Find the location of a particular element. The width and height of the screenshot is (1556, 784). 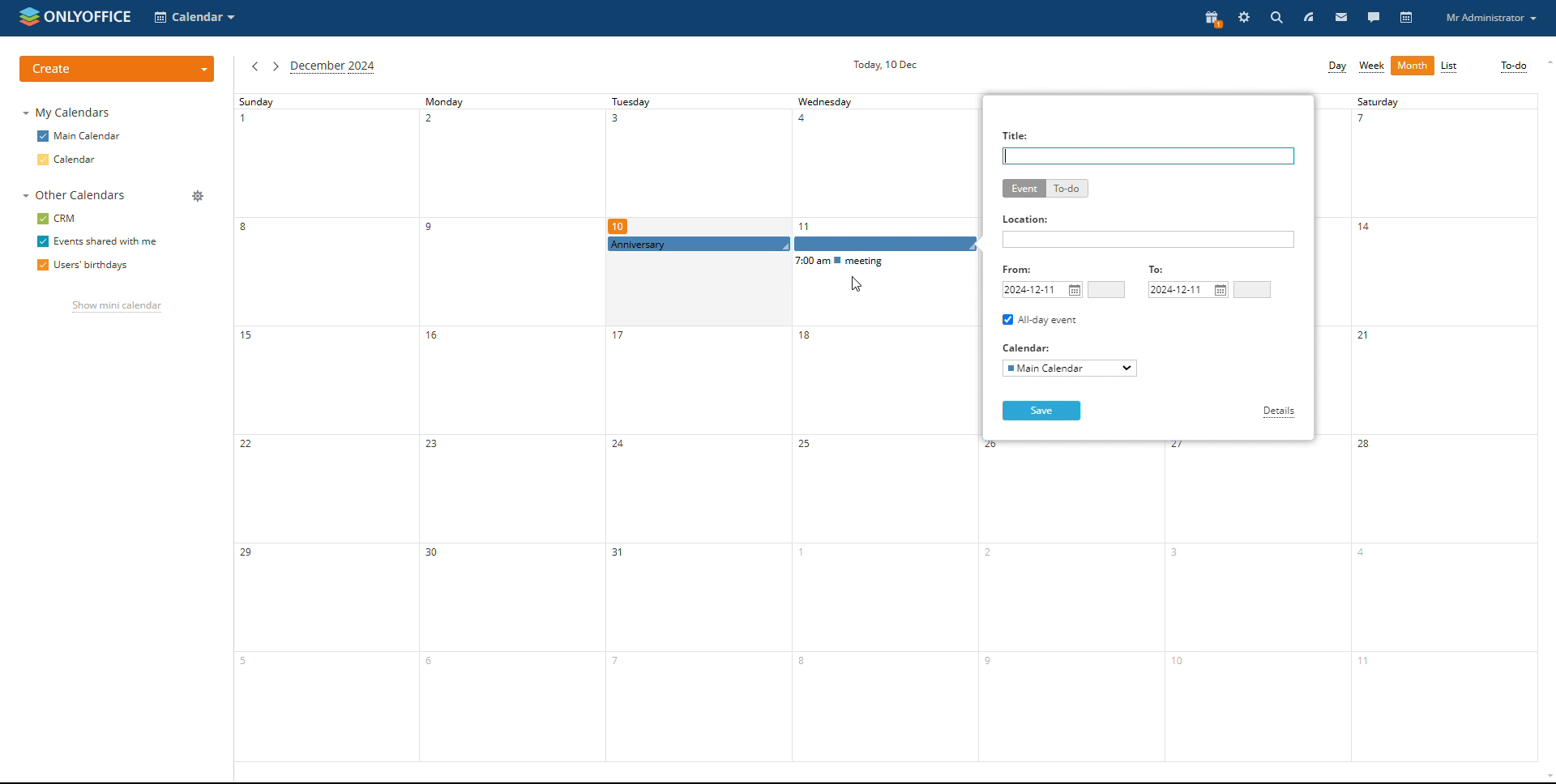

add title is located at coordinates (1148, 156).